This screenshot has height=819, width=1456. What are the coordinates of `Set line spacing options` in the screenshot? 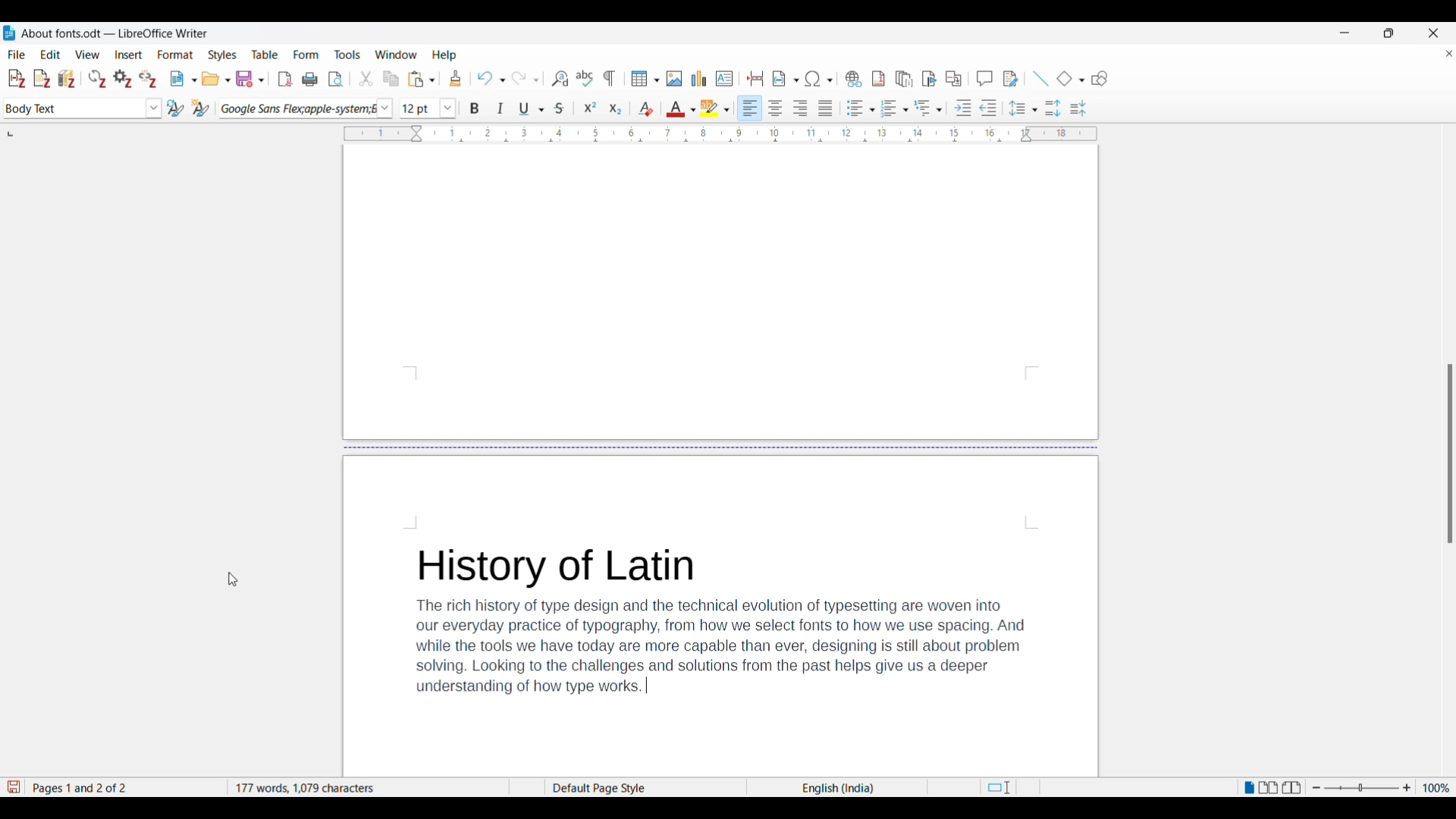 It's located at (1023, 108).